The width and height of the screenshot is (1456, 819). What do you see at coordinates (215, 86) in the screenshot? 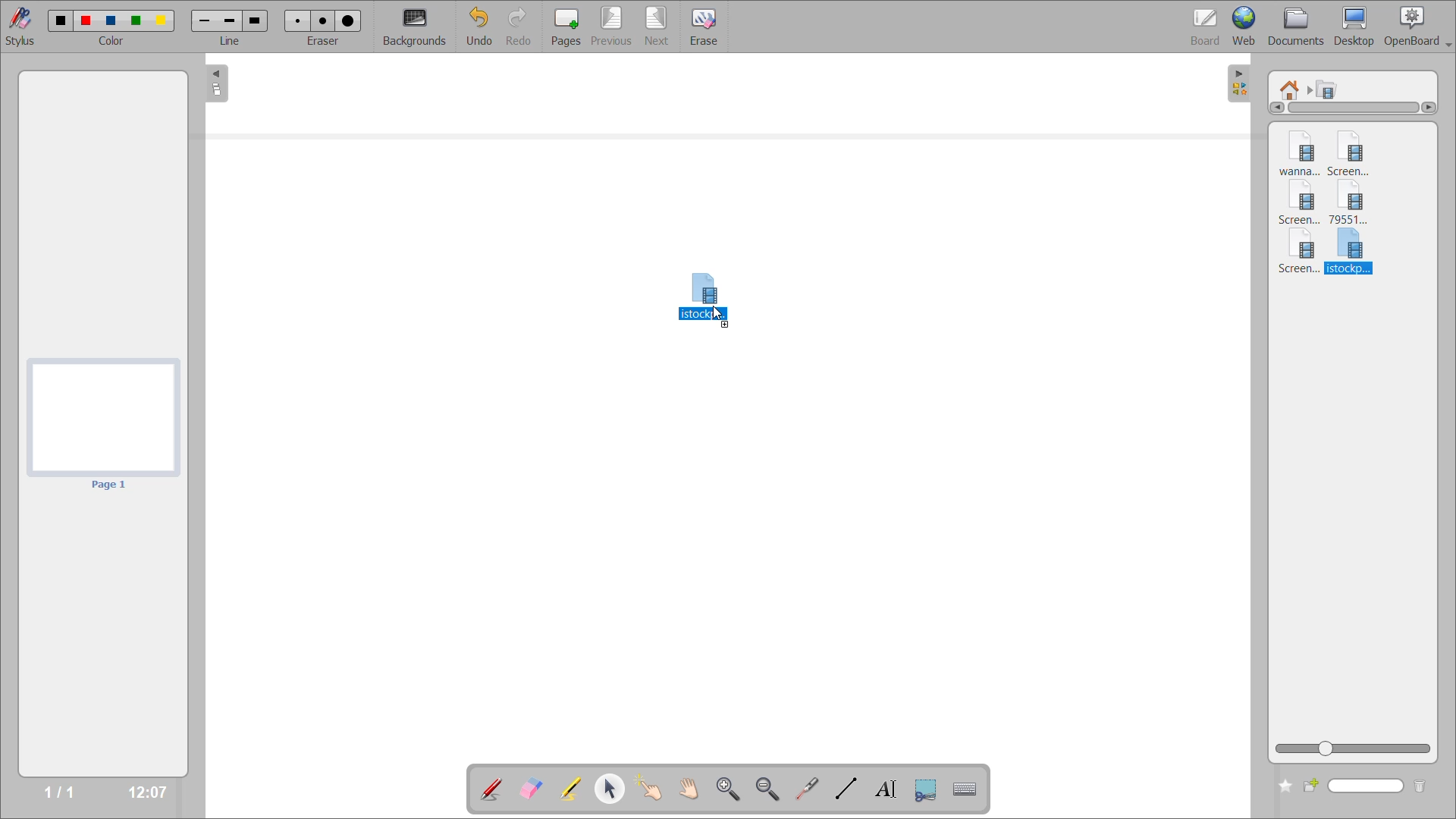
I see `collapse` at bounding box center [215, 86].